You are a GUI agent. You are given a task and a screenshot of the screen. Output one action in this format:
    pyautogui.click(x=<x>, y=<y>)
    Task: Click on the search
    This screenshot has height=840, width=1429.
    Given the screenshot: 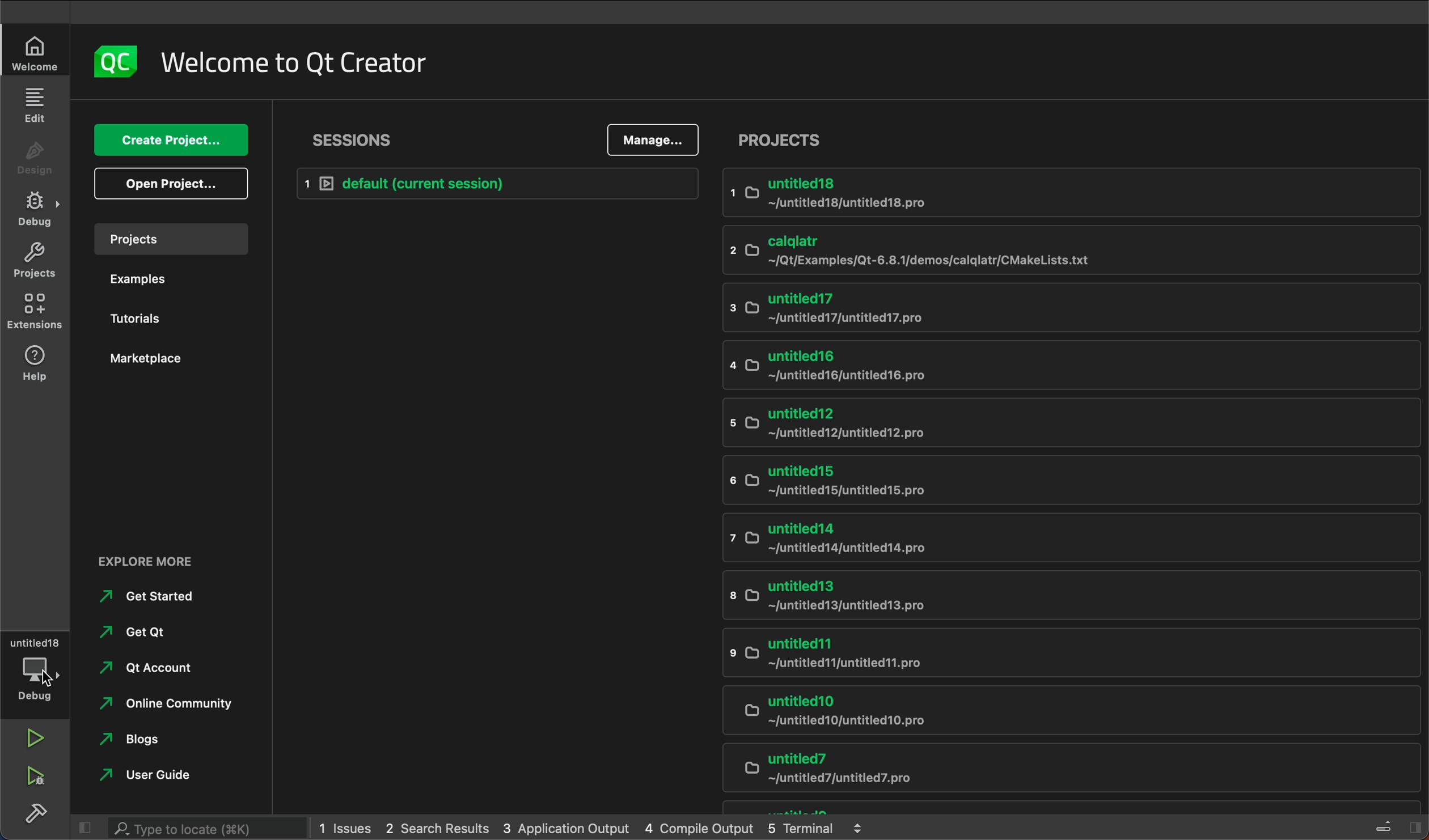 What is the action you would take?
    pyautogui.click(x=191, y=826)
    